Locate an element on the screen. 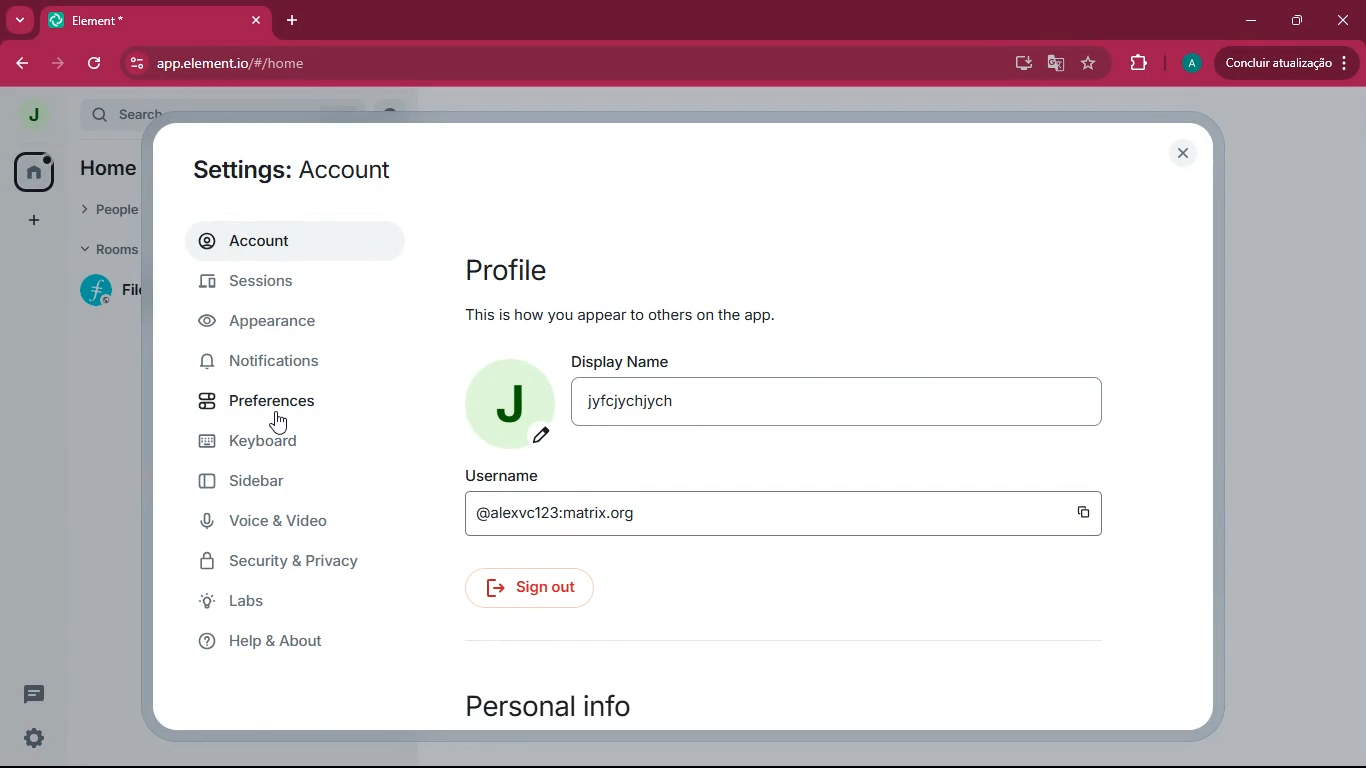 This screenshot has height=768, width=1366. @alexcv123:matrix.org is located at coordinates (766, 514).